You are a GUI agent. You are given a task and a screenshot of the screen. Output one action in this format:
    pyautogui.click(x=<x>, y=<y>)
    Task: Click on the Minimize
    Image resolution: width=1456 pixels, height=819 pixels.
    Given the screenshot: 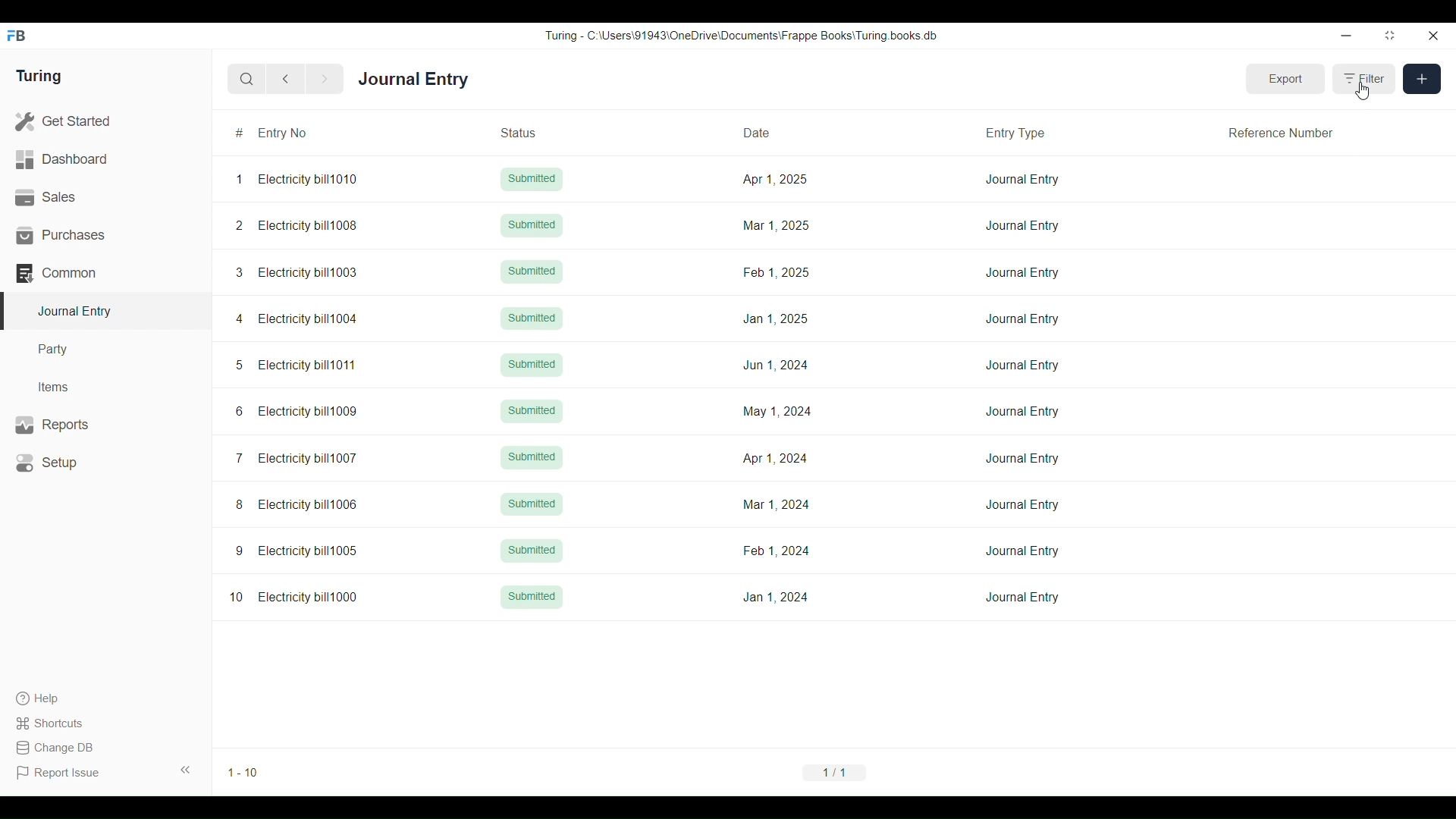 What is the action you would take?
    pyautogui.click(x=1347, y=36)
    